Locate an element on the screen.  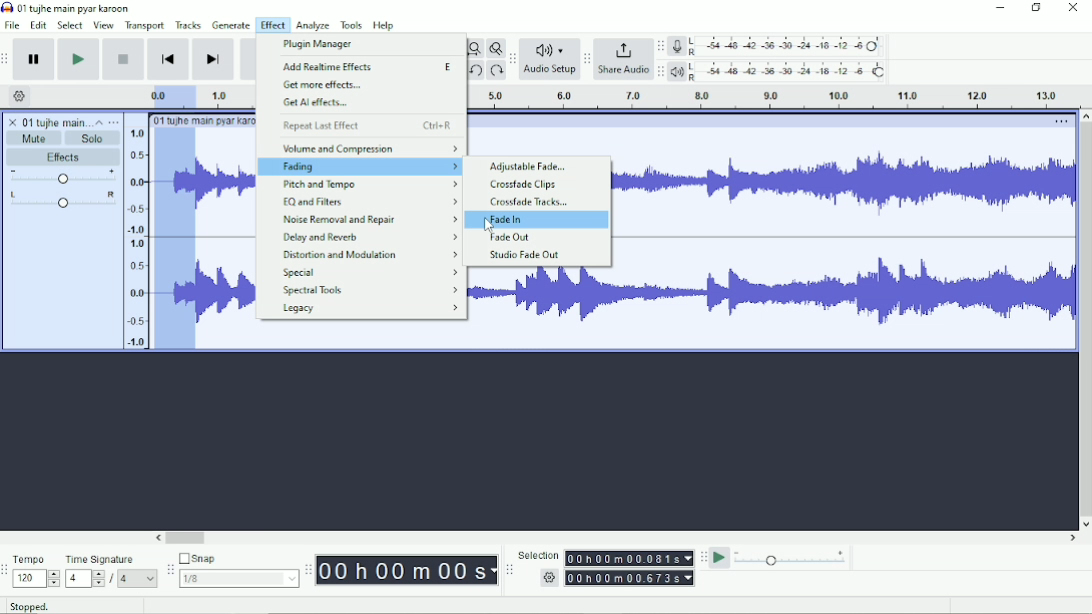
Audio Logo is located at coordinates (550, 46).